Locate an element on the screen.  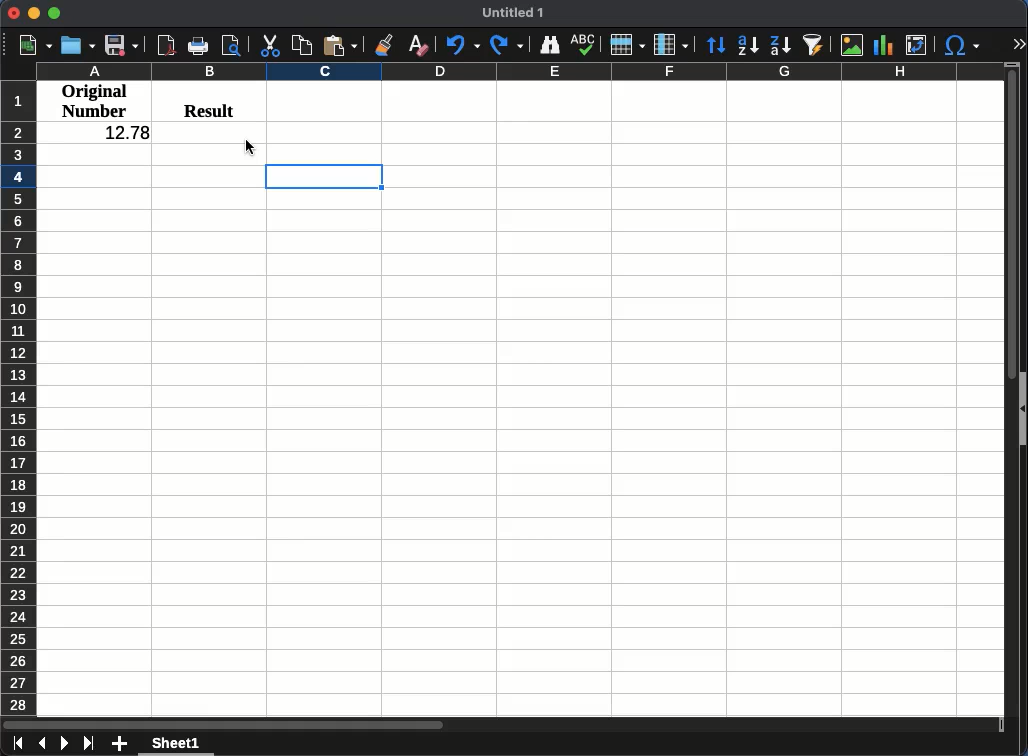
Column is located at coordinates (669, 45).